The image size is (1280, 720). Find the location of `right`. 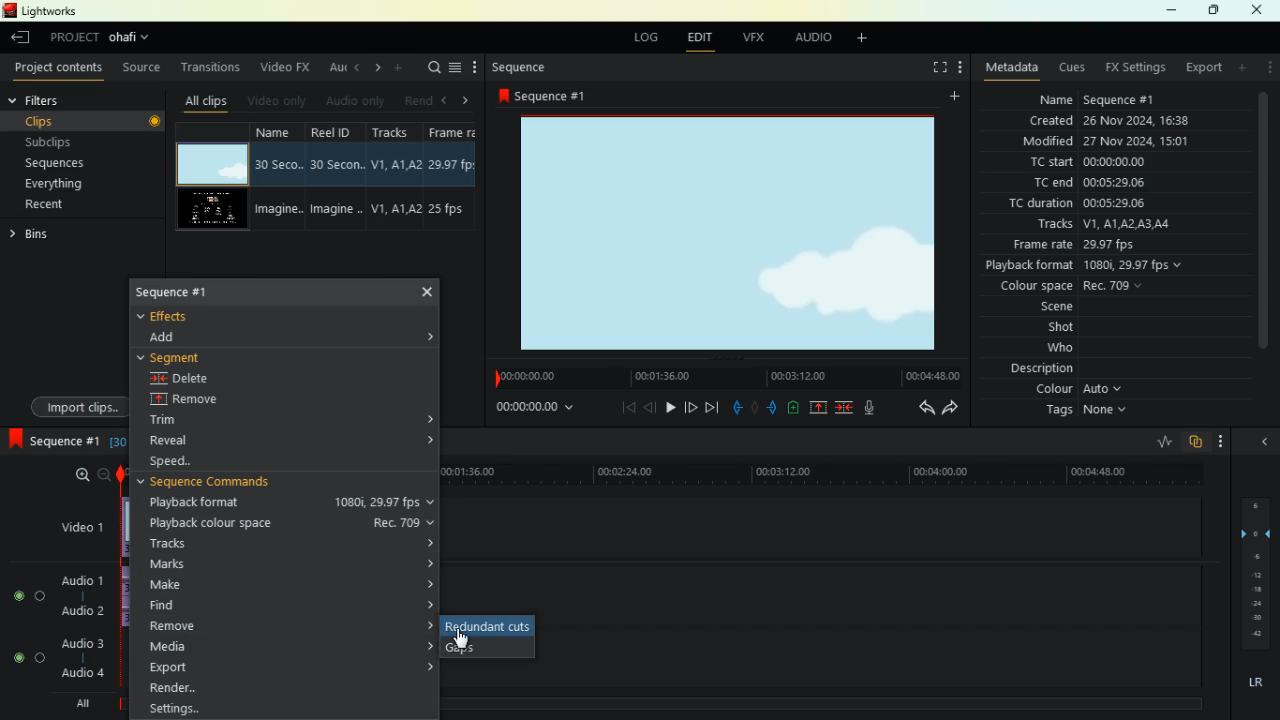

right is located at coordinates (377, 68).